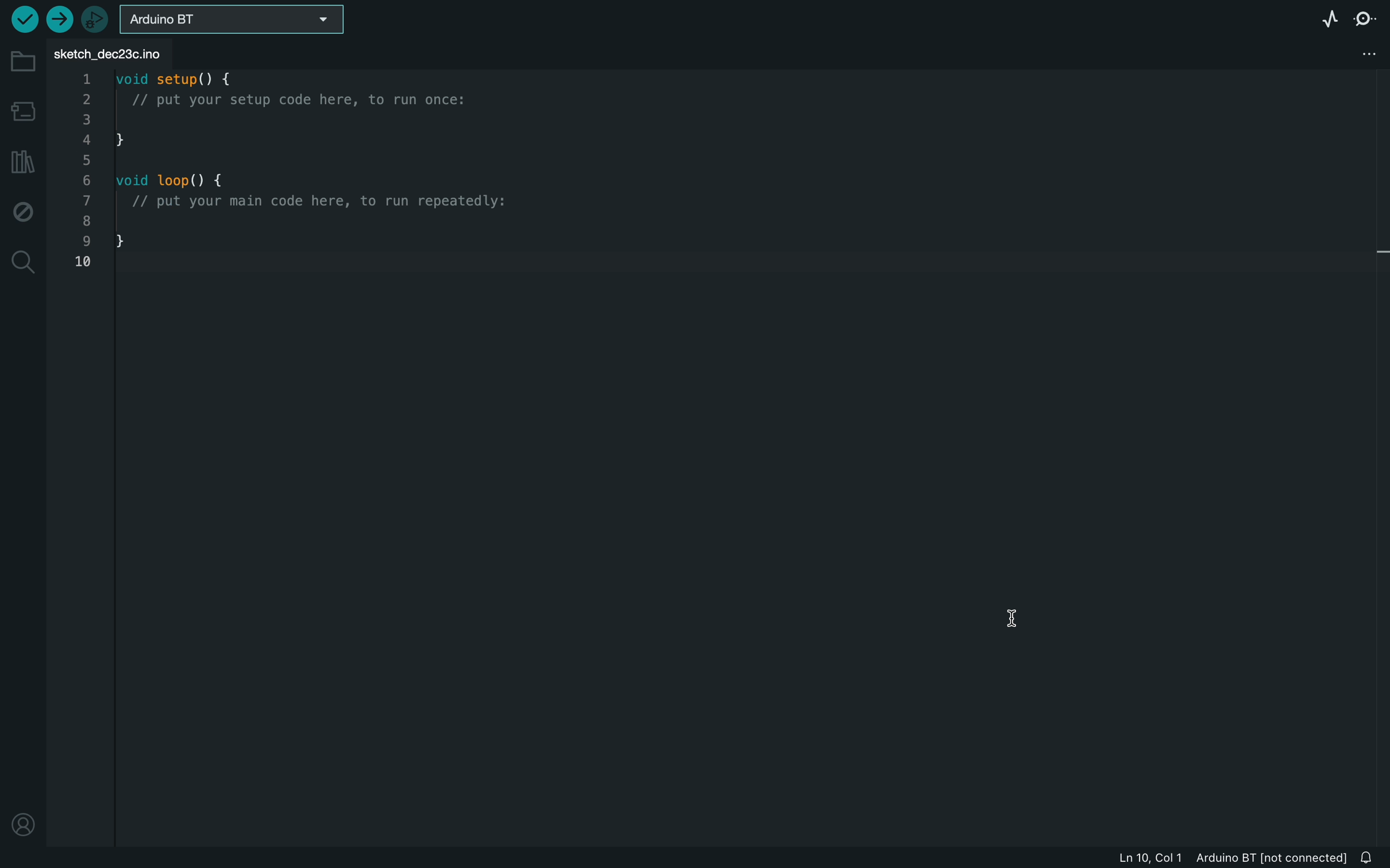  I want to click on verify, so click(25, 20).